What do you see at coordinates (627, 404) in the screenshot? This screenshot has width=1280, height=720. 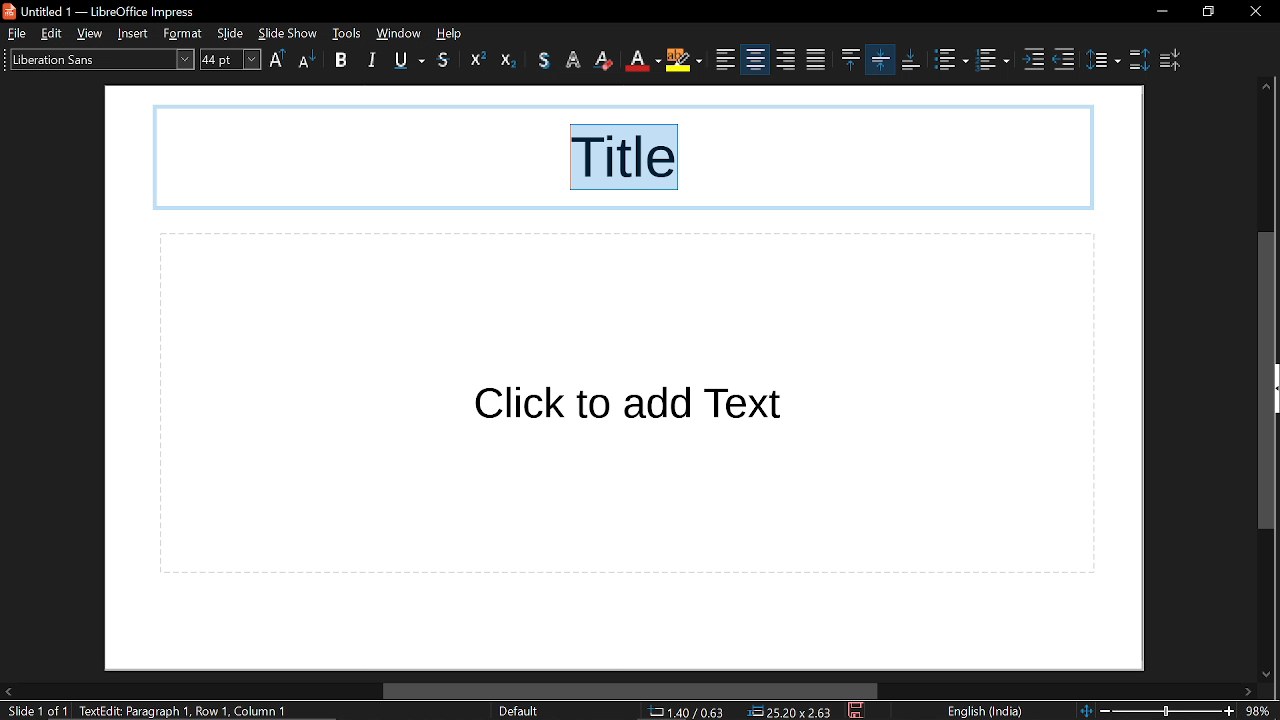 I see `click to add text` at bounding box center [627, 404].